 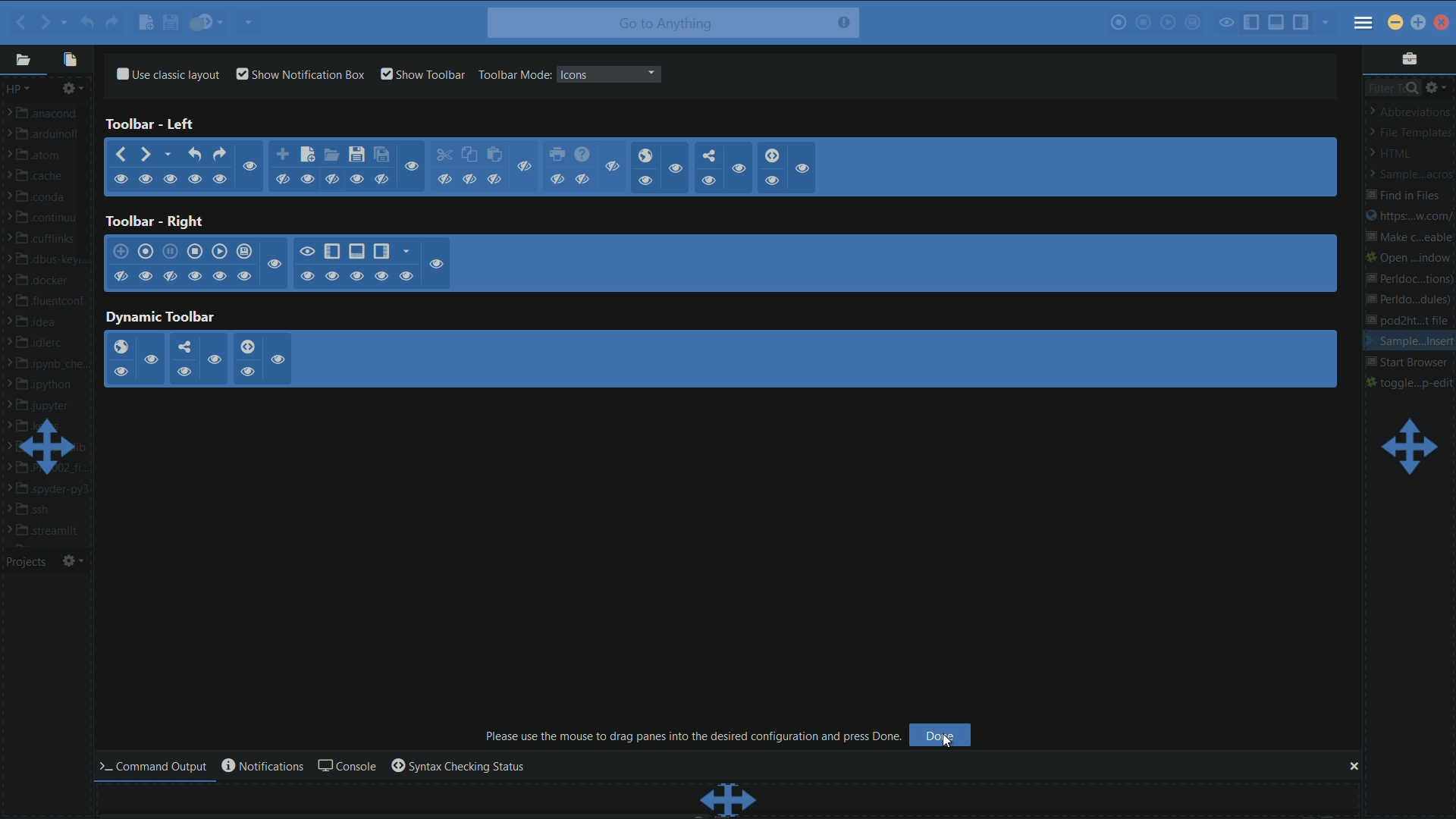 I want to click on toggle...p-edit, so click(x=1410, y=382).